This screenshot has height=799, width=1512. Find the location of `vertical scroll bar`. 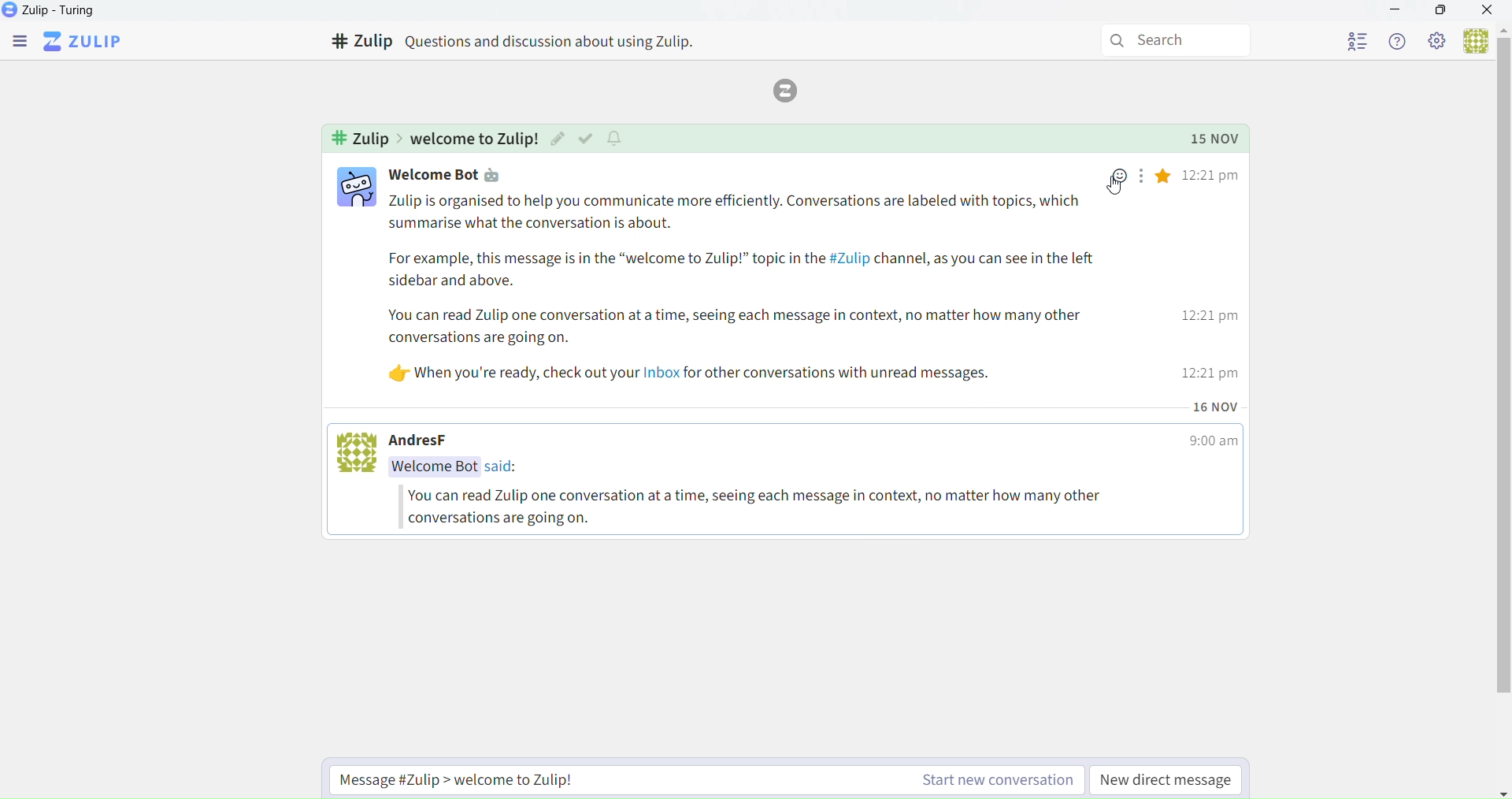

vertical scroll bar is located at coordinates (1502, 370).